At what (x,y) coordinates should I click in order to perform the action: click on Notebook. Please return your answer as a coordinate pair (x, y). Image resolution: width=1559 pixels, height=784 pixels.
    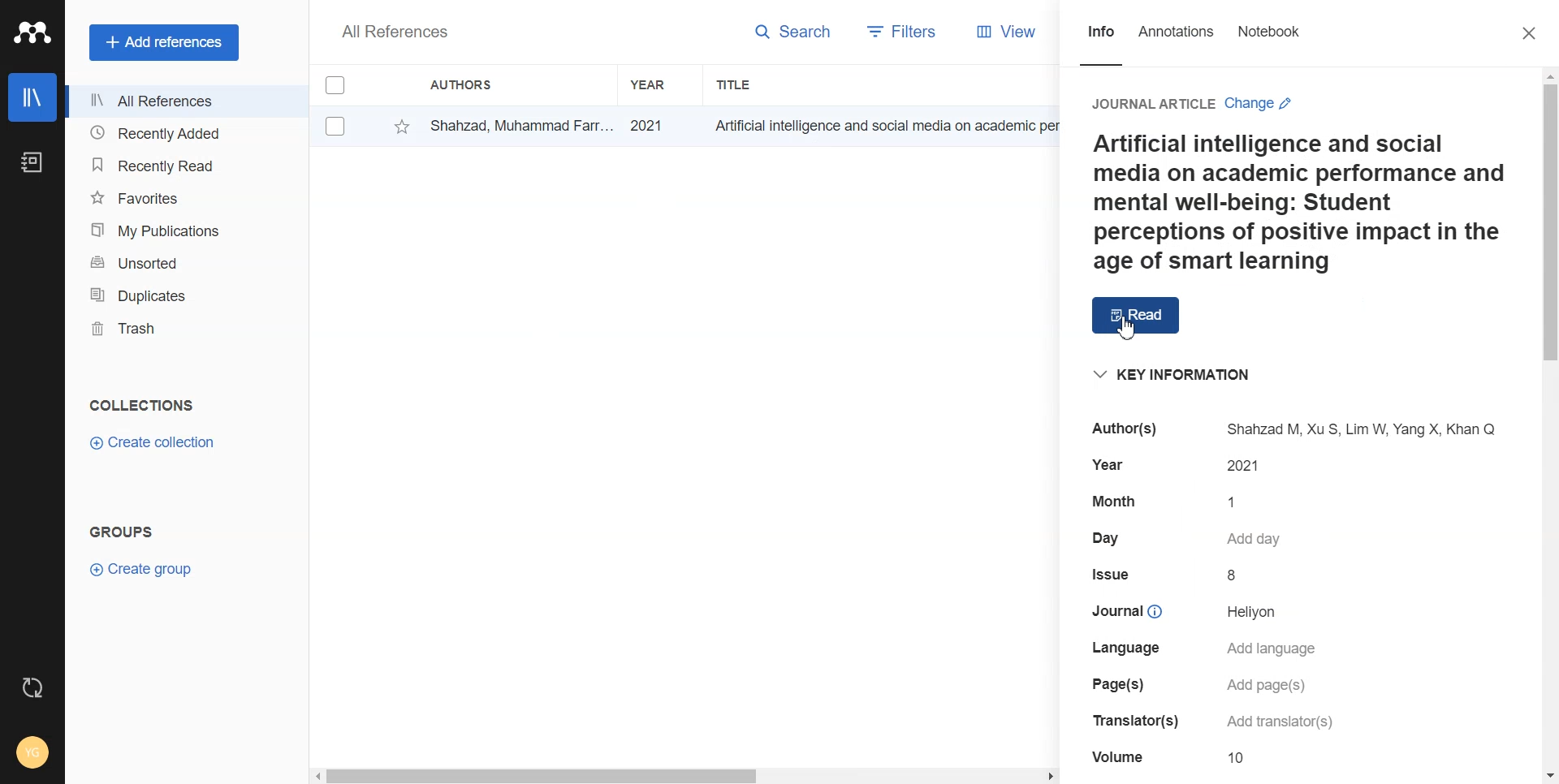
    Looking at the image, I should click on (32, 164).